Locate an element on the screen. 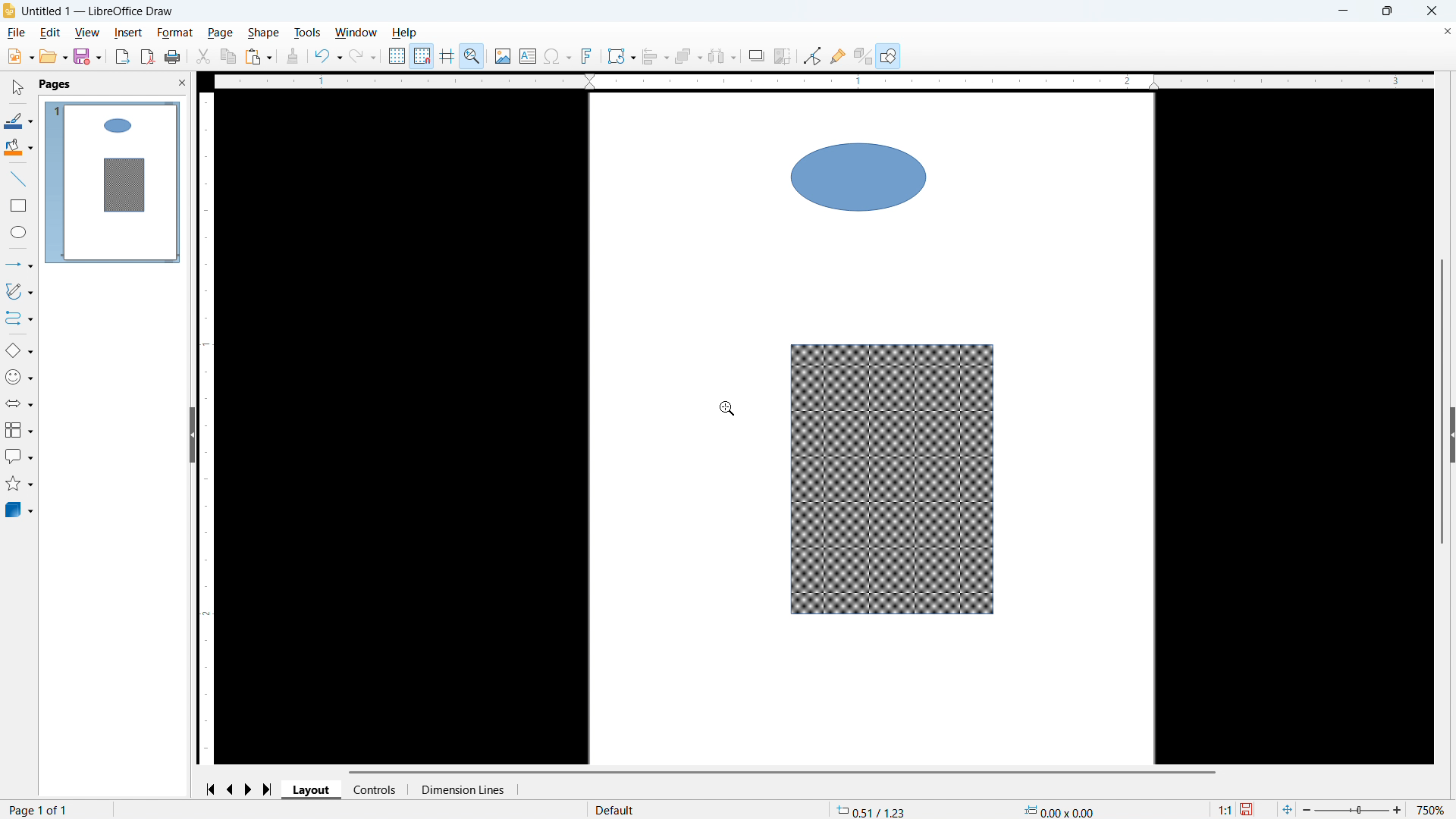 Image resolution: width=1456 pixels, height=819 pixels. cut  is located at coordinates (204, 56).